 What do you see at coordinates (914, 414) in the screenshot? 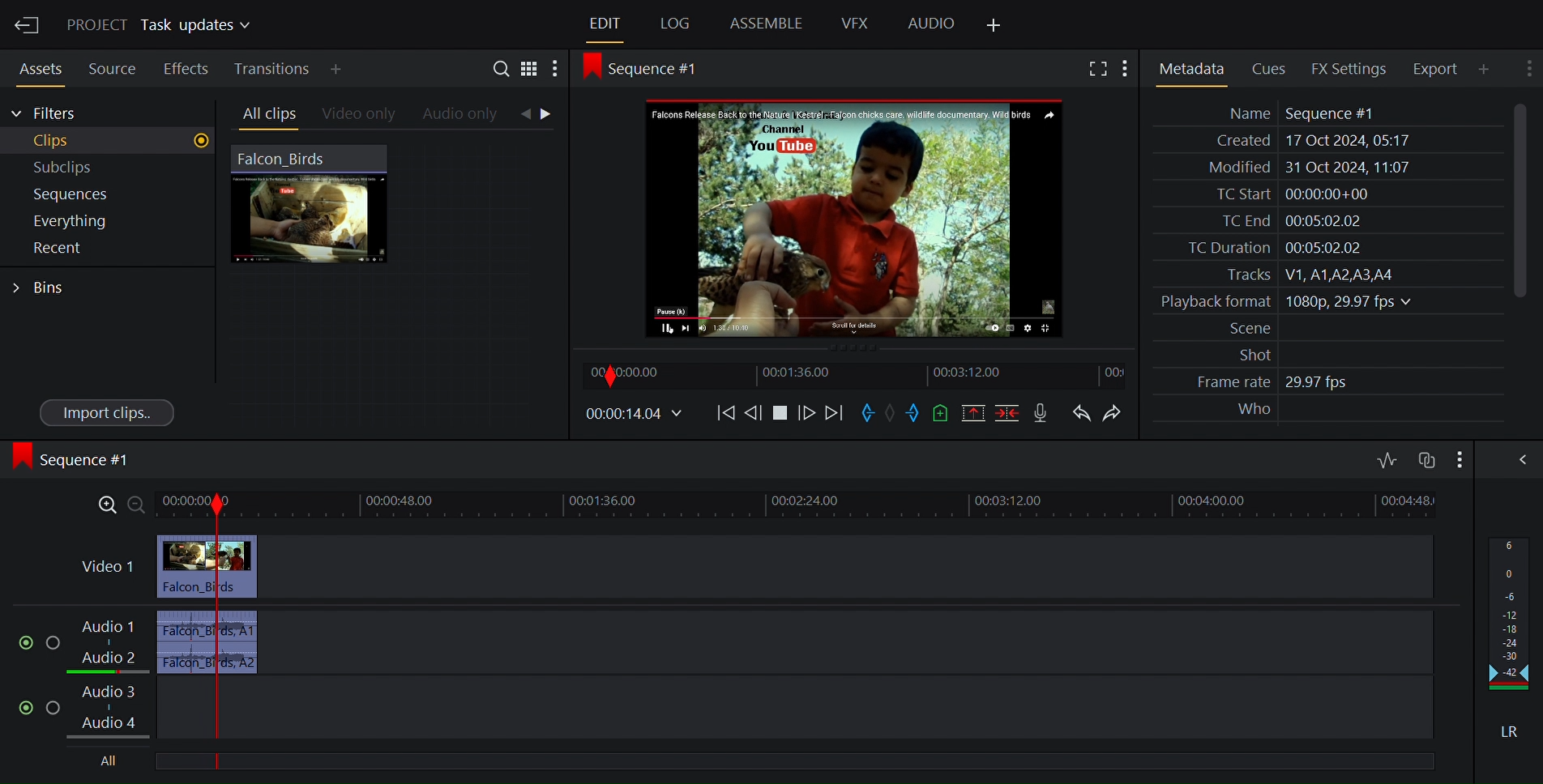
I see `Mark out` at bounding box center [914, 414].